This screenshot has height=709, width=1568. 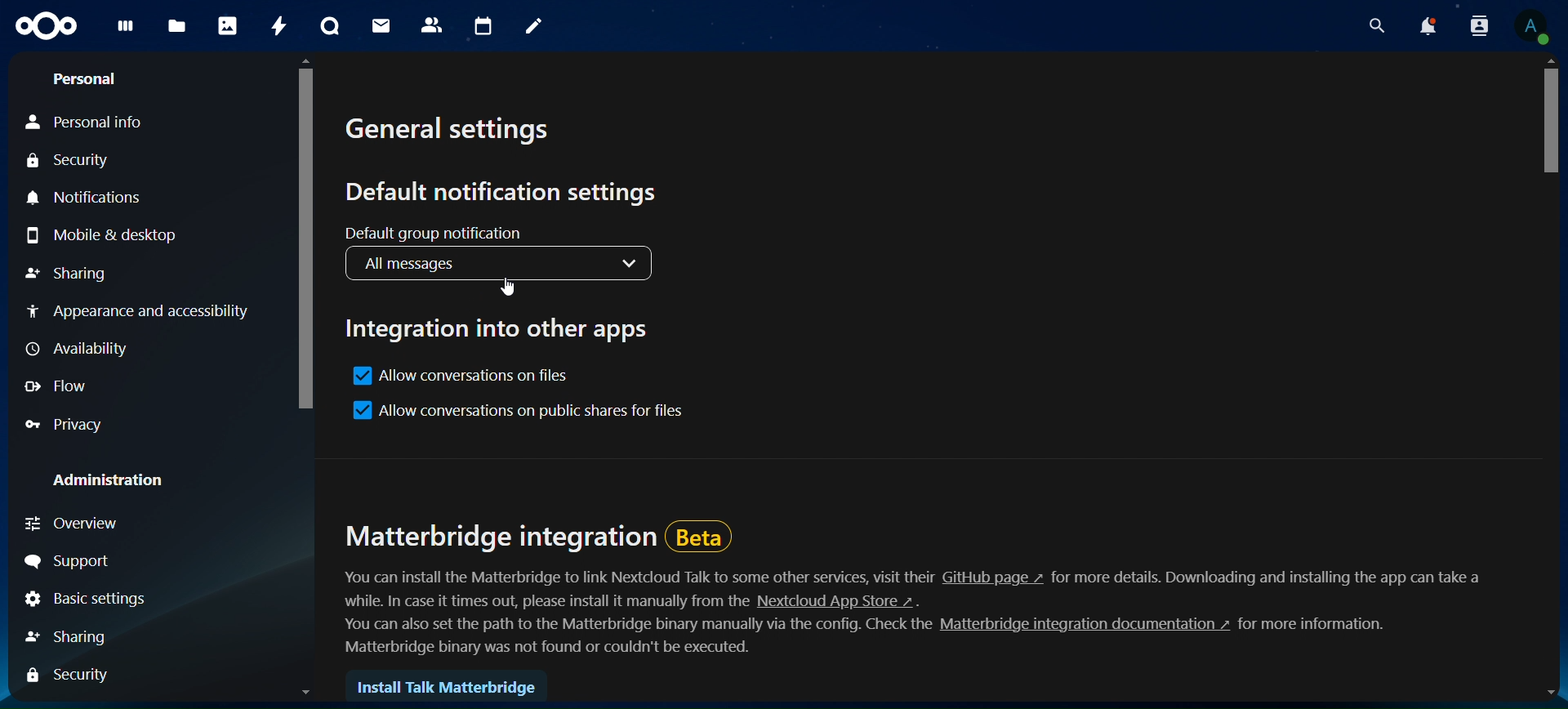 What do you see at coordinates (1553, 378) in the screenshot?
I see `scroll bar` at bounding box center [1553, 378].